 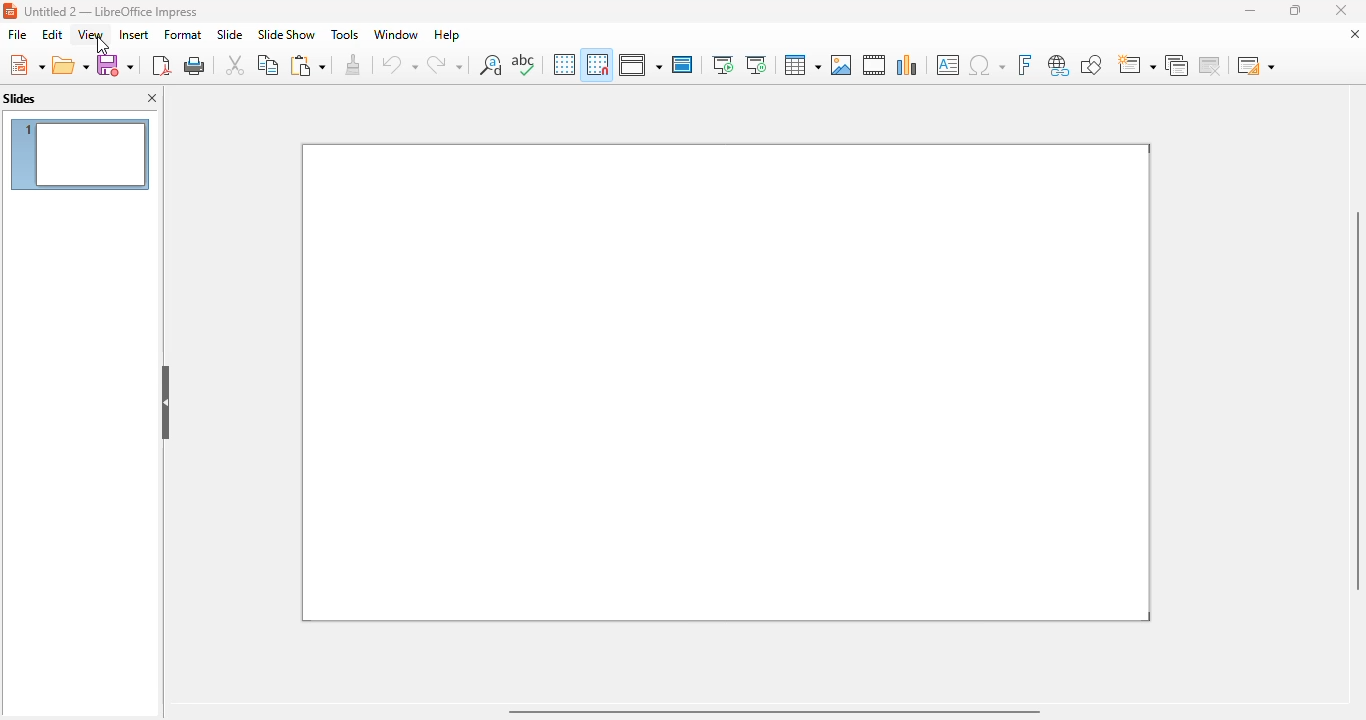 I want to click on insert fontwork text, so click(x=1026, y=64).